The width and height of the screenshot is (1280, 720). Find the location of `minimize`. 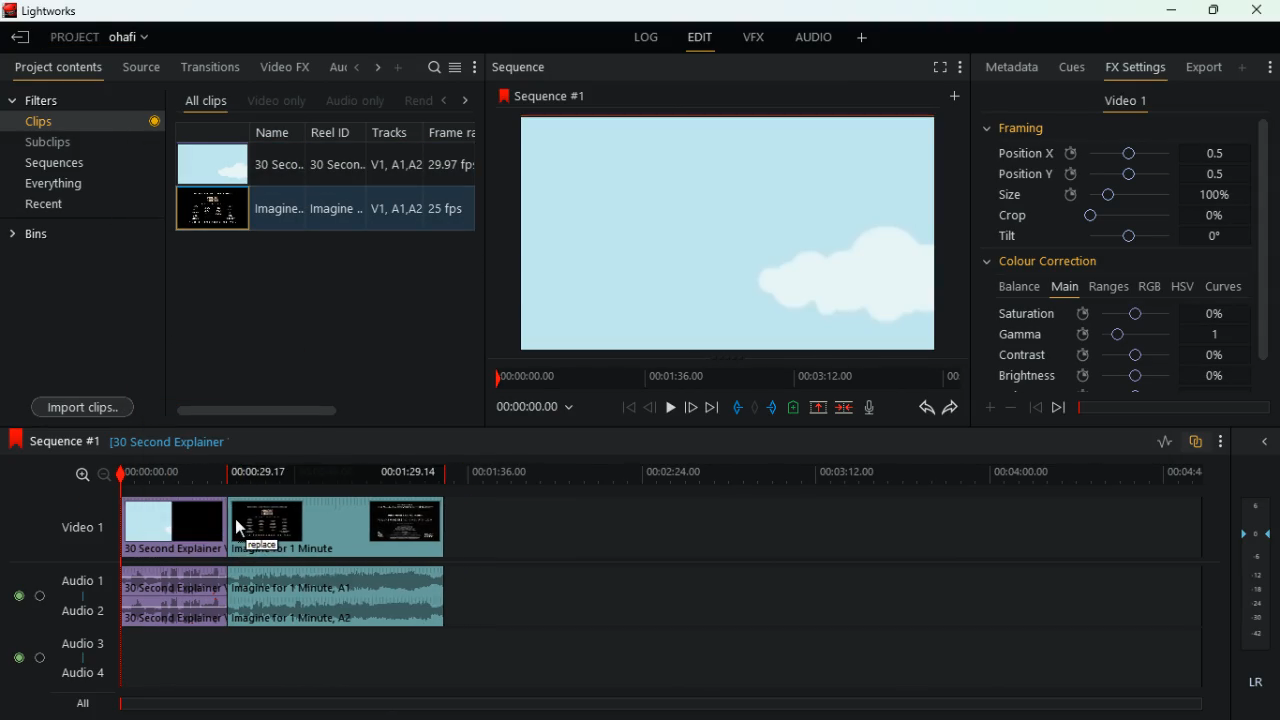

minimize is located at coordinates (1171, 12).